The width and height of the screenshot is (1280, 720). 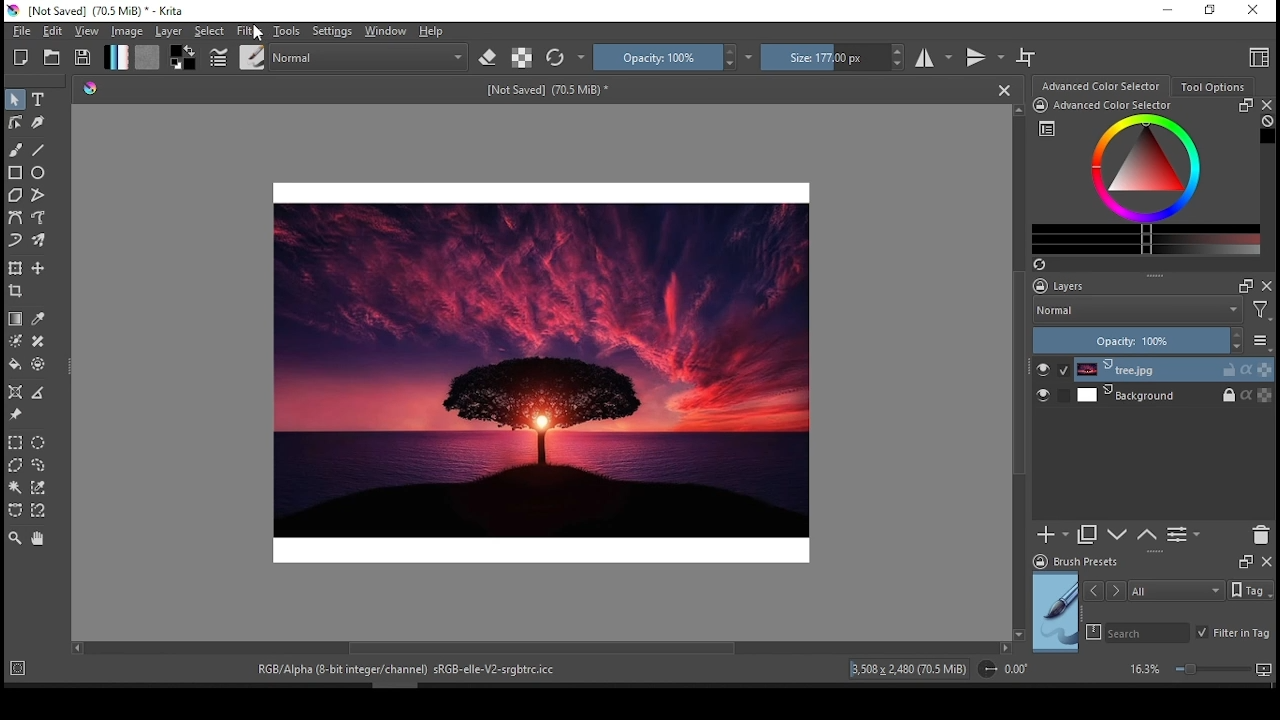 I want to click on brush presets, so click(x=1107, y=562).